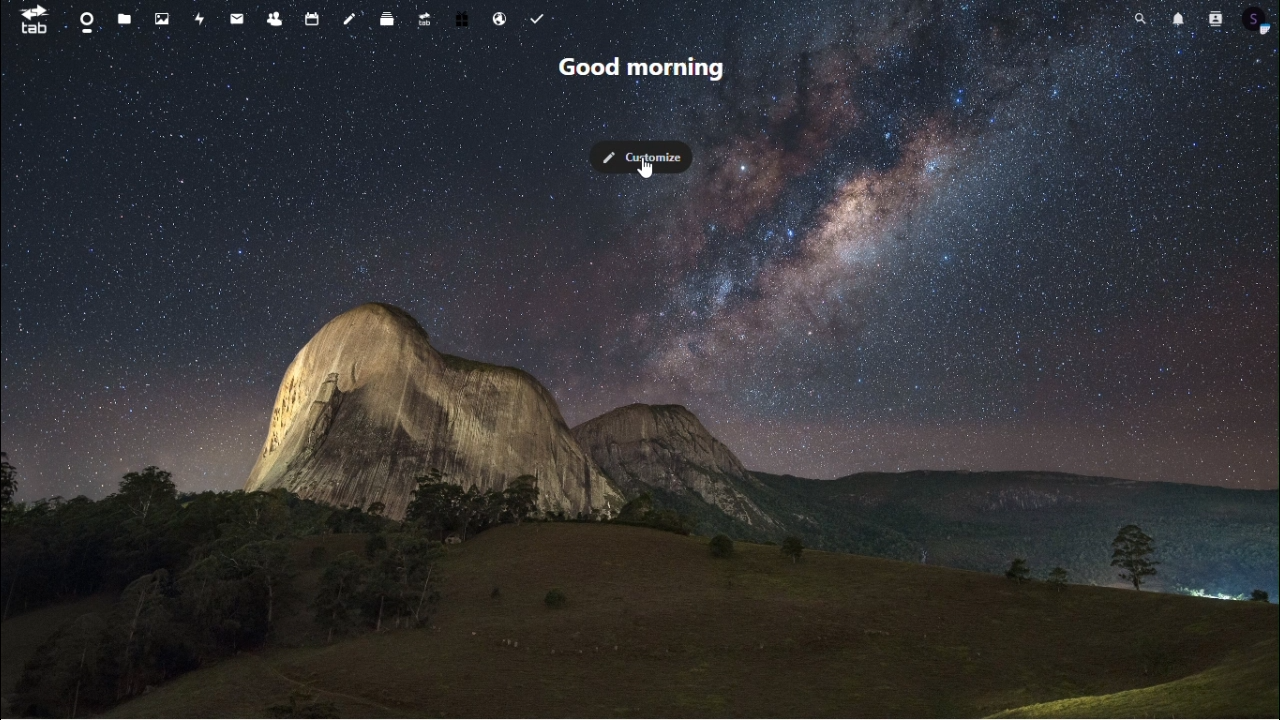 This screenshot has width=1280, height=720. What do you see at coordinates (162, 17) in the screenshot?
I see `photo` at bounding box center [162, 17].